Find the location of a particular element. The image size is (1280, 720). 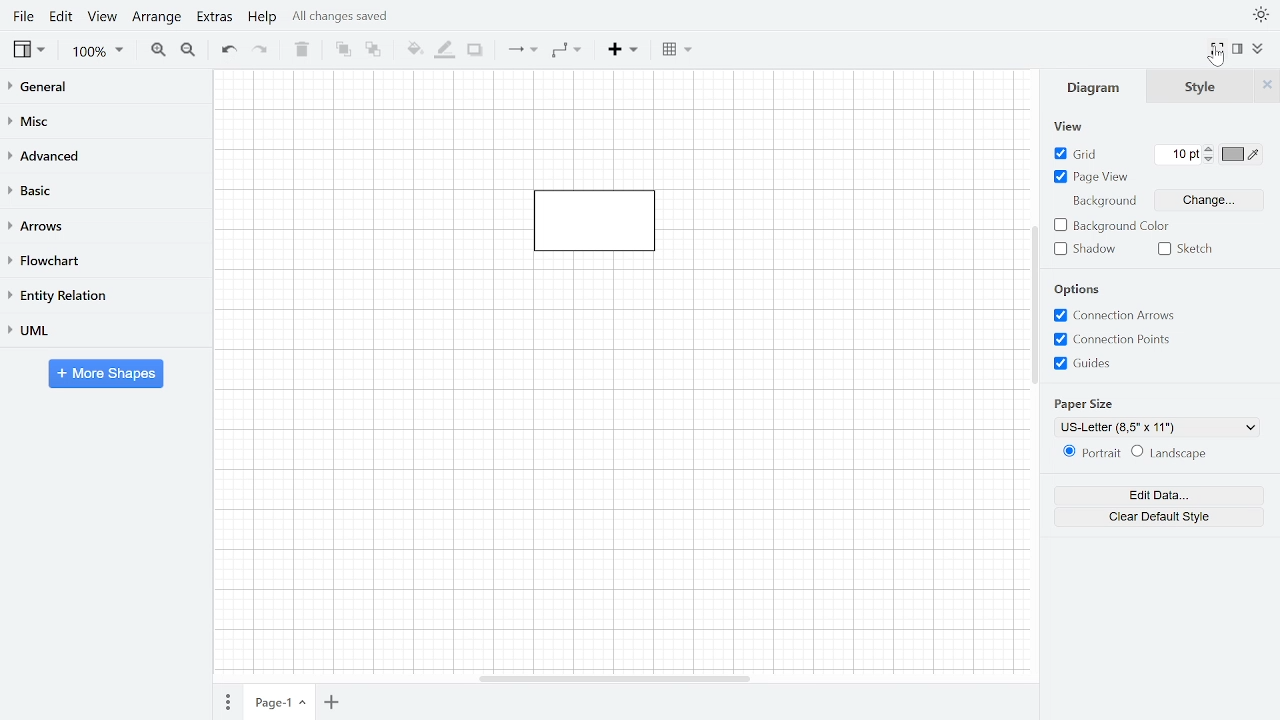

Advanced is located at coordinates (105, 158).